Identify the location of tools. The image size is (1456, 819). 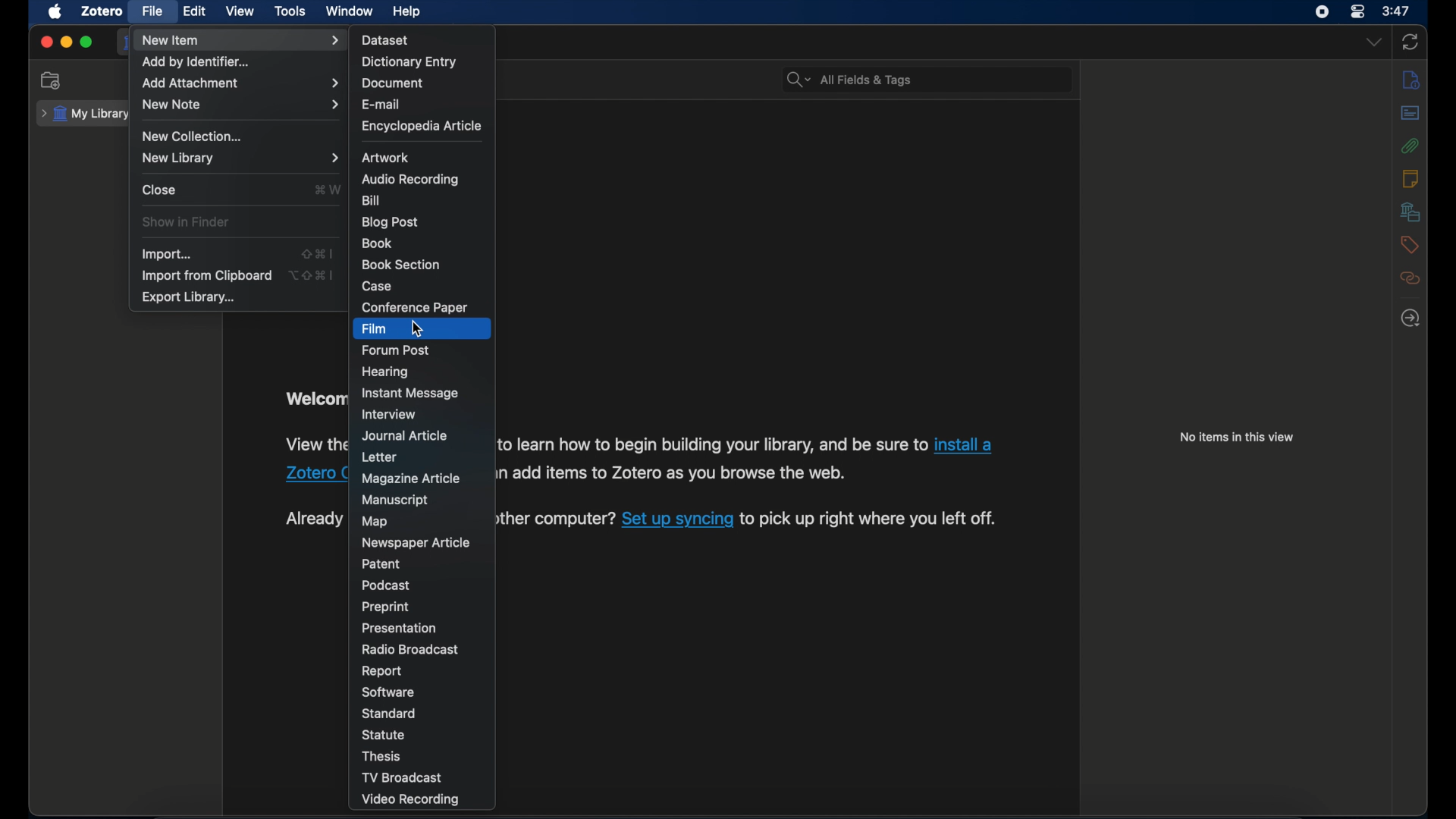
(291, 11).